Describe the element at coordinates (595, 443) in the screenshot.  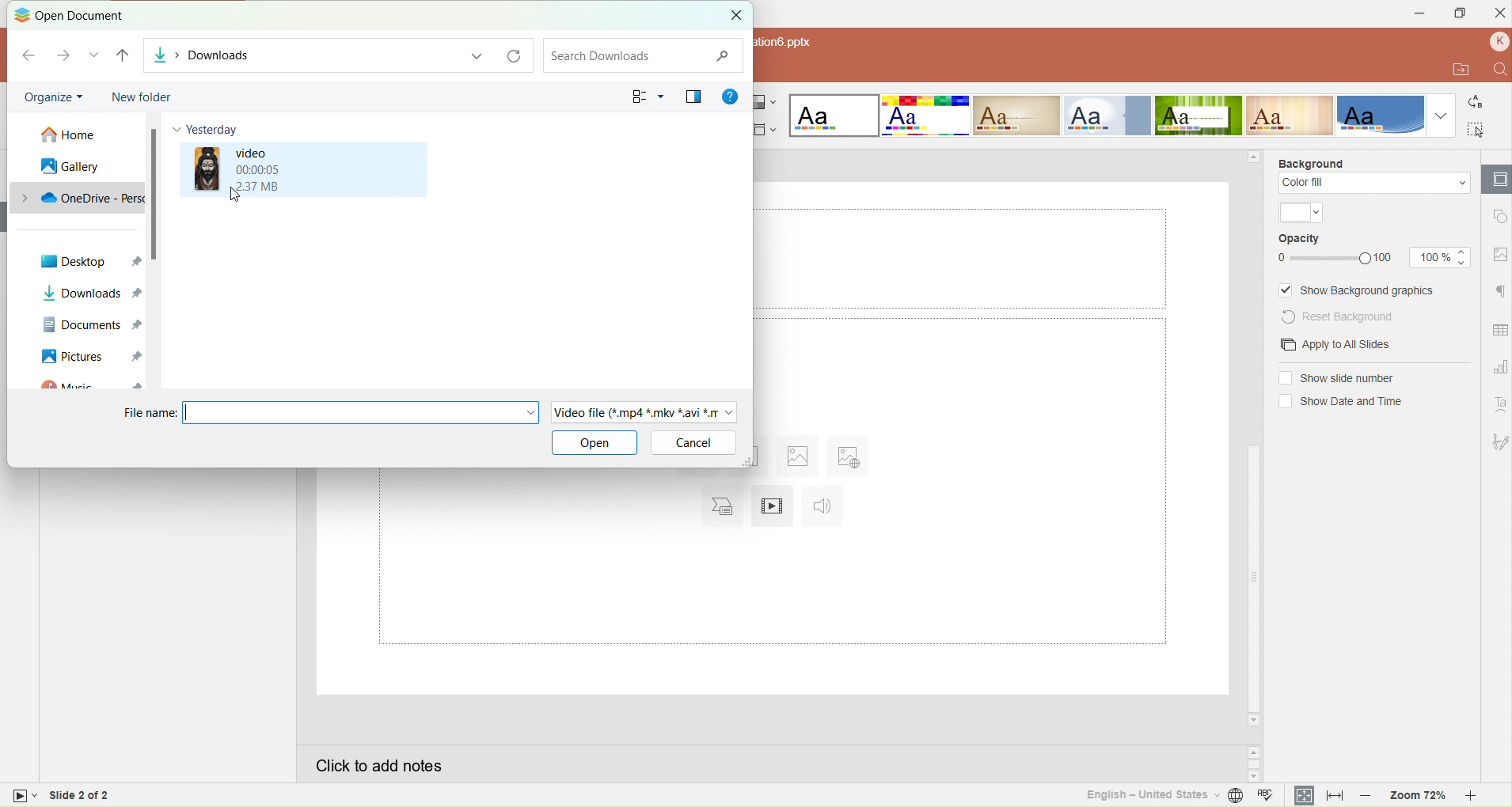
I see `Open` at that location.